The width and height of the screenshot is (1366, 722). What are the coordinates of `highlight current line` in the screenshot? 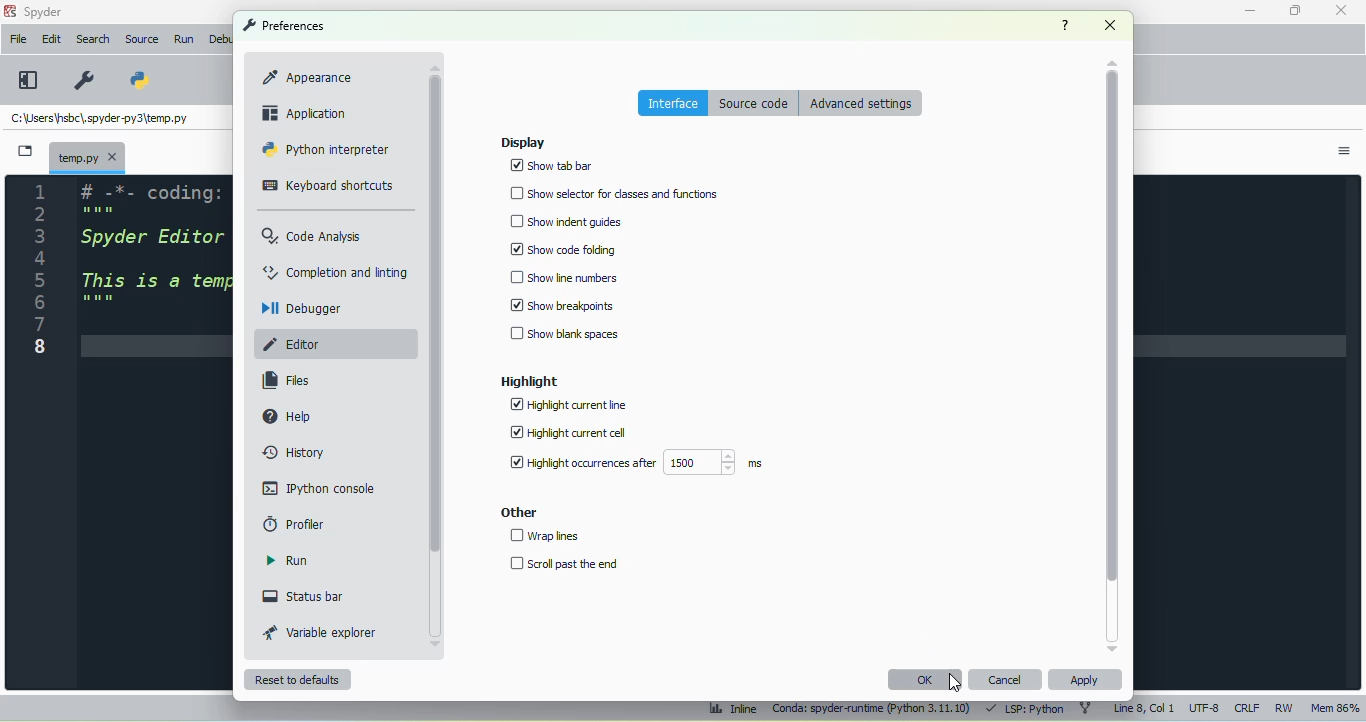 It's located at (568, 405).